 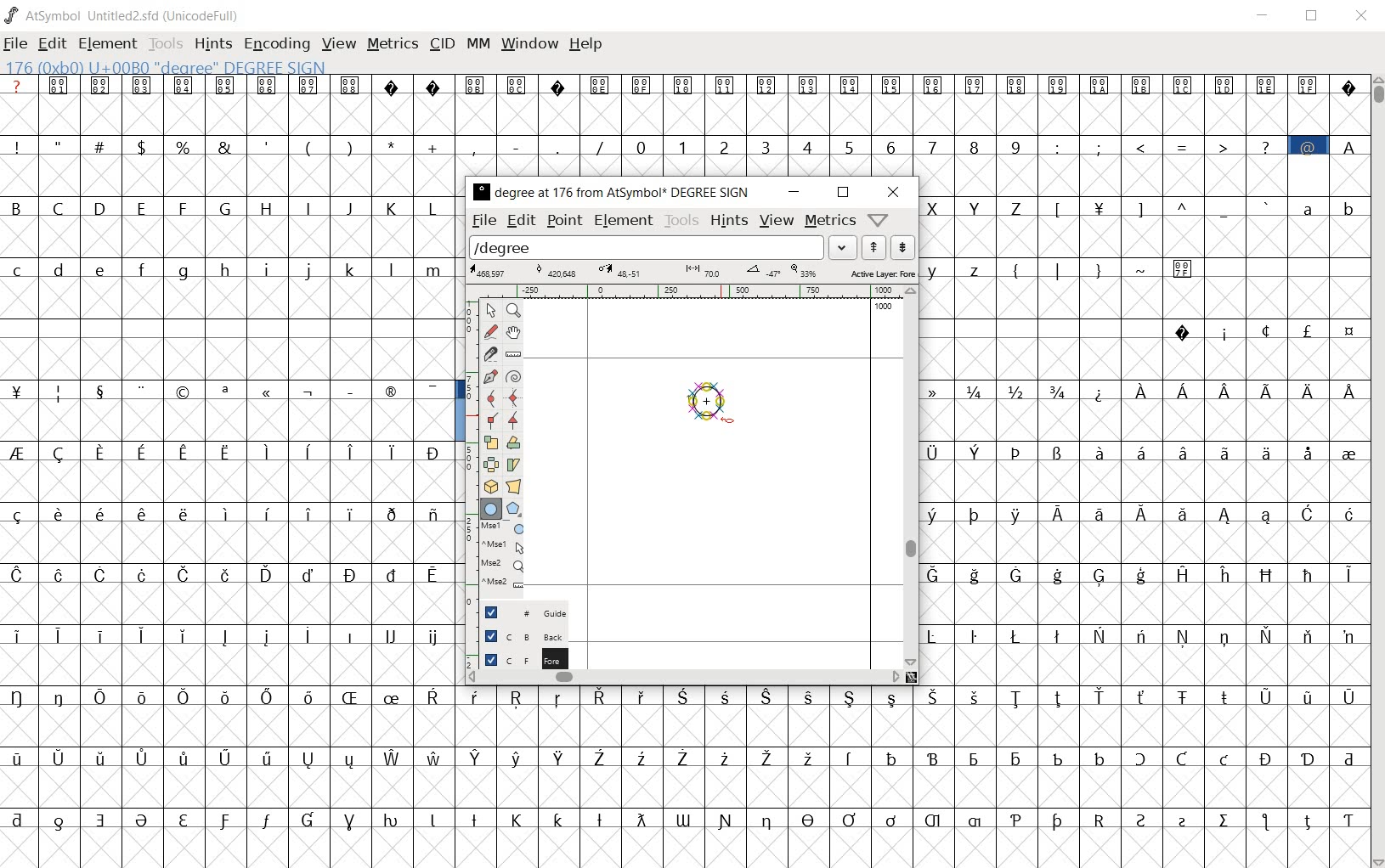 What do you see at coordinates (1314, 16) in the screenshot?
I see `restore down` at bounding box center [1314, 16].